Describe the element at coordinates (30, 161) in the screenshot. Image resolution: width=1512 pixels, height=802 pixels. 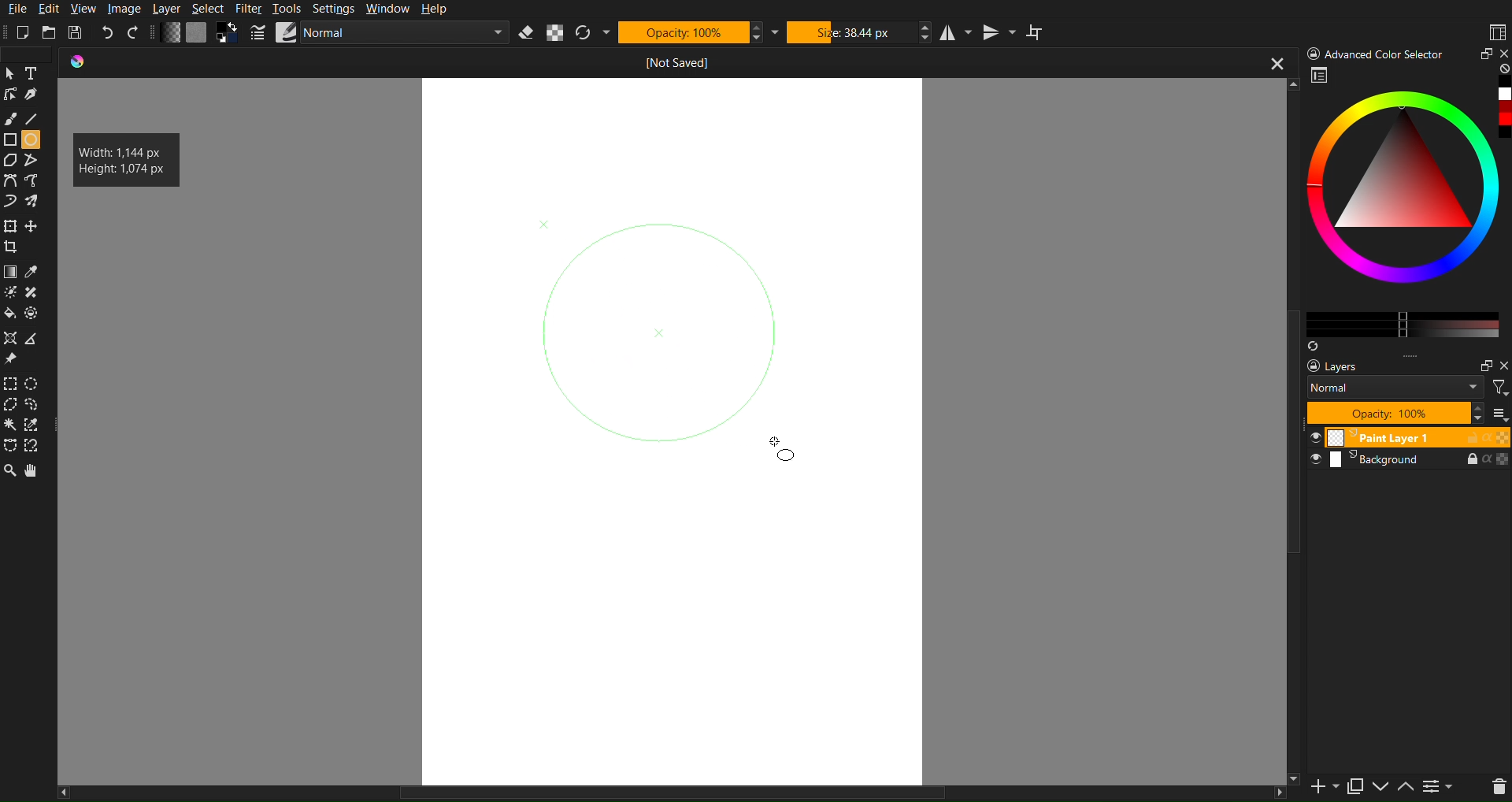
I see `Free polygon` at that location.